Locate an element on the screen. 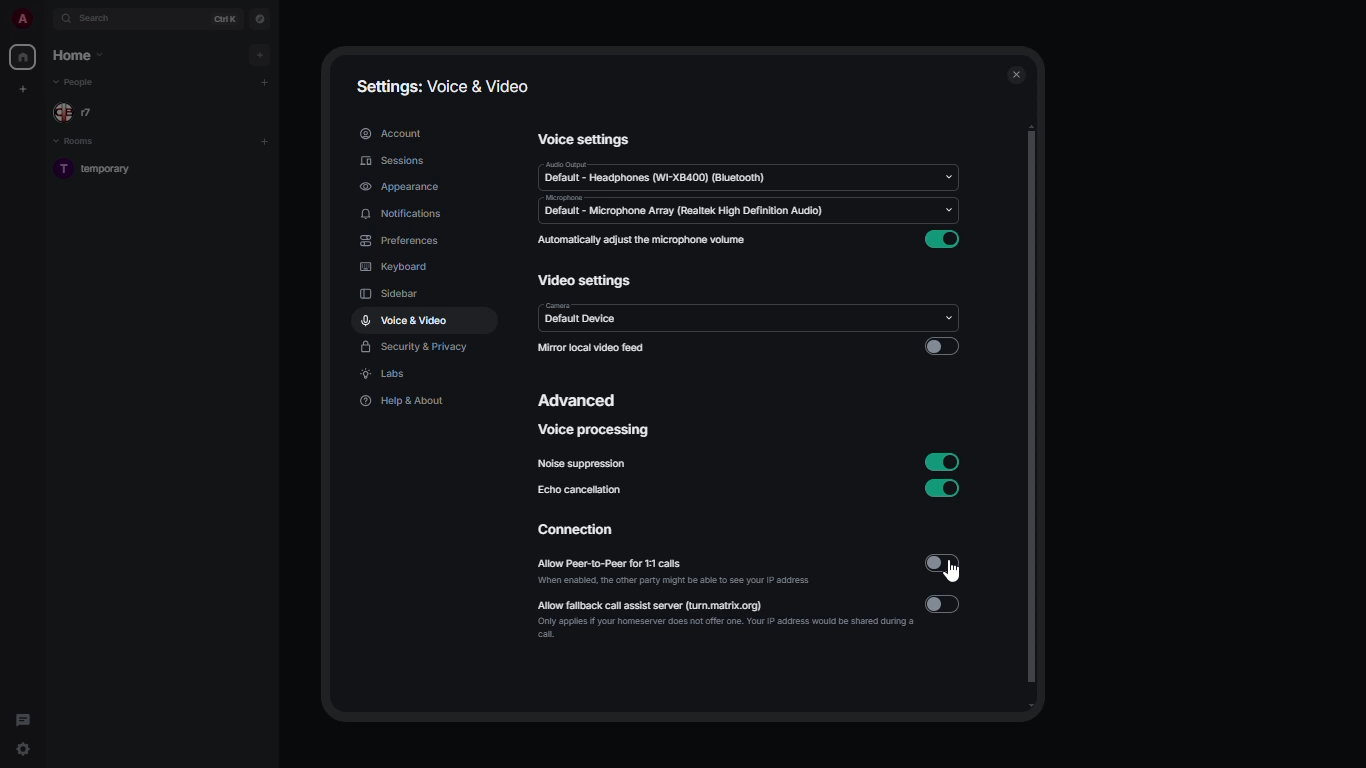 The height and width of the screenshot is (768, 1366). threads is located at coordinates (24, 718).